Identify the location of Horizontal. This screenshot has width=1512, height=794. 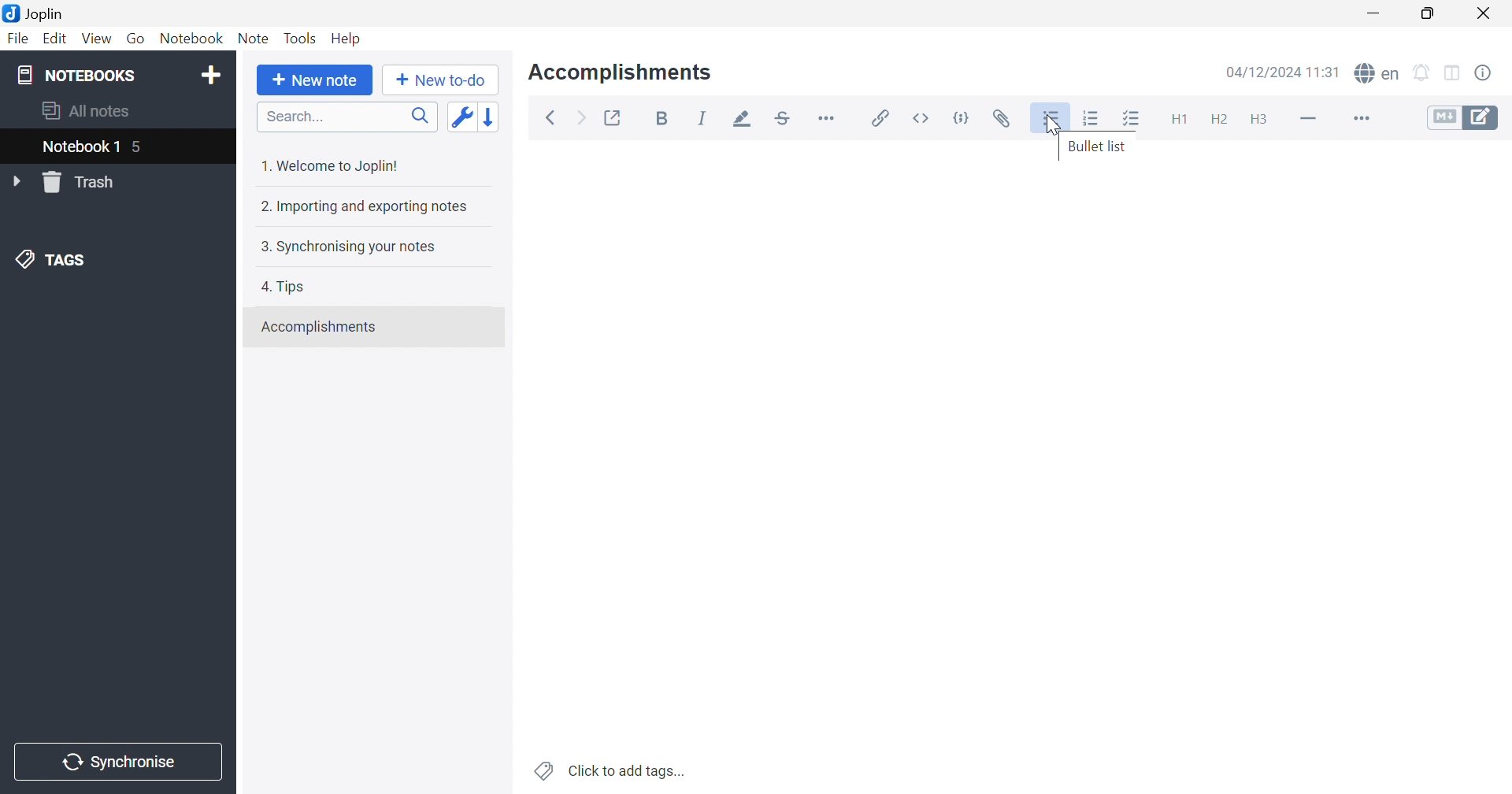
(828, 118).